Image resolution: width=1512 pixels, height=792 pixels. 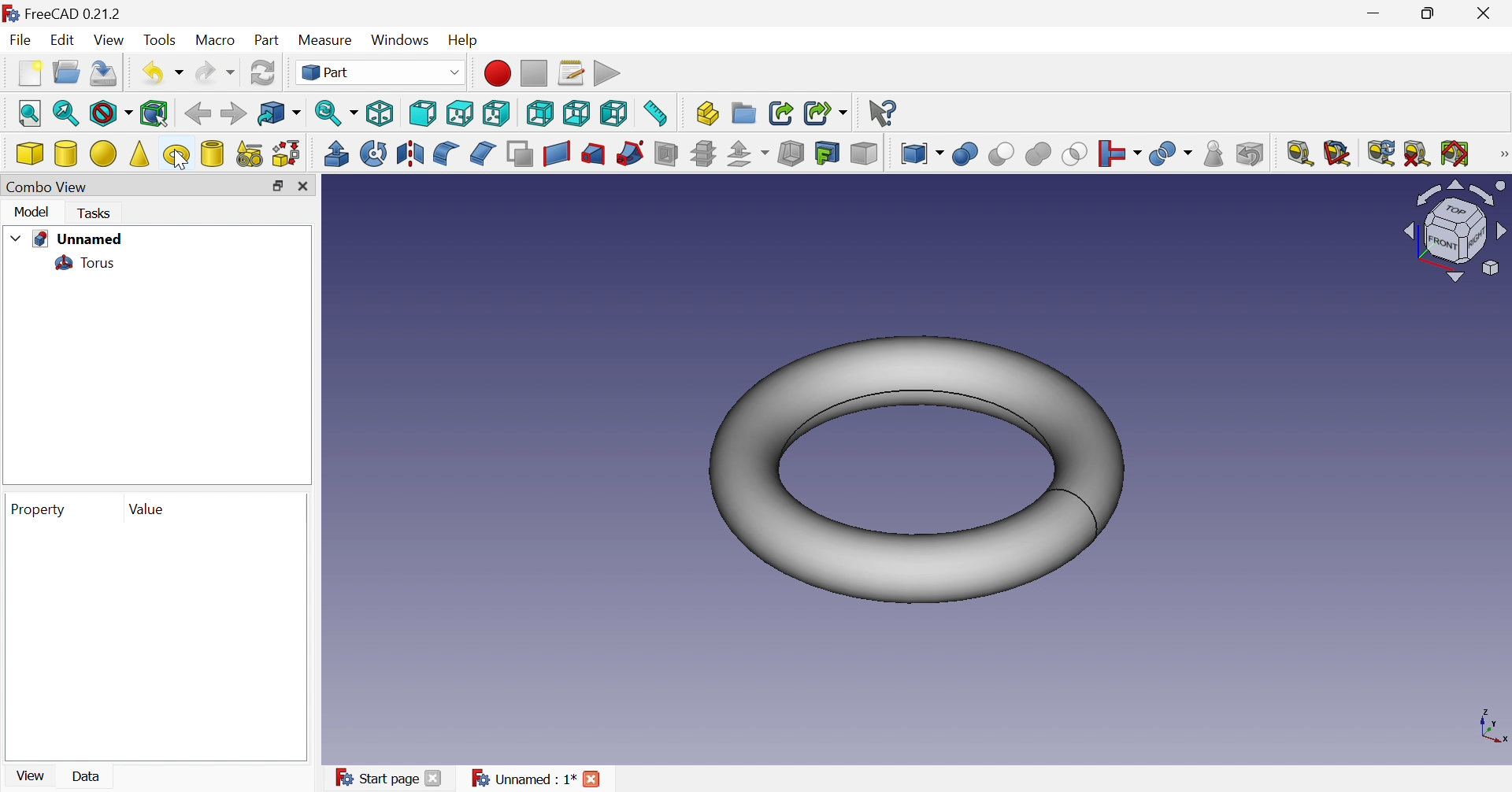 I want to click on Left, so click(x=615, y=113).